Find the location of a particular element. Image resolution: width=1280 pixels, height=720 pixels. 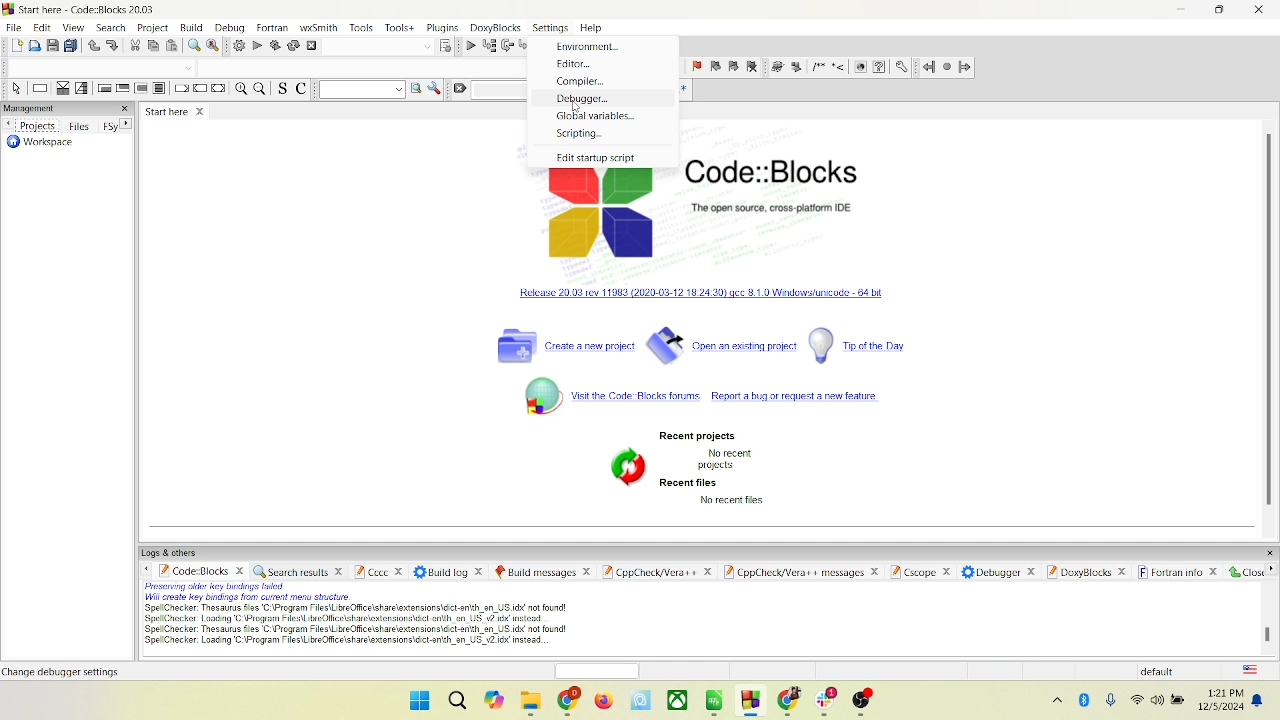

build message is located at coordinates (544, 571).